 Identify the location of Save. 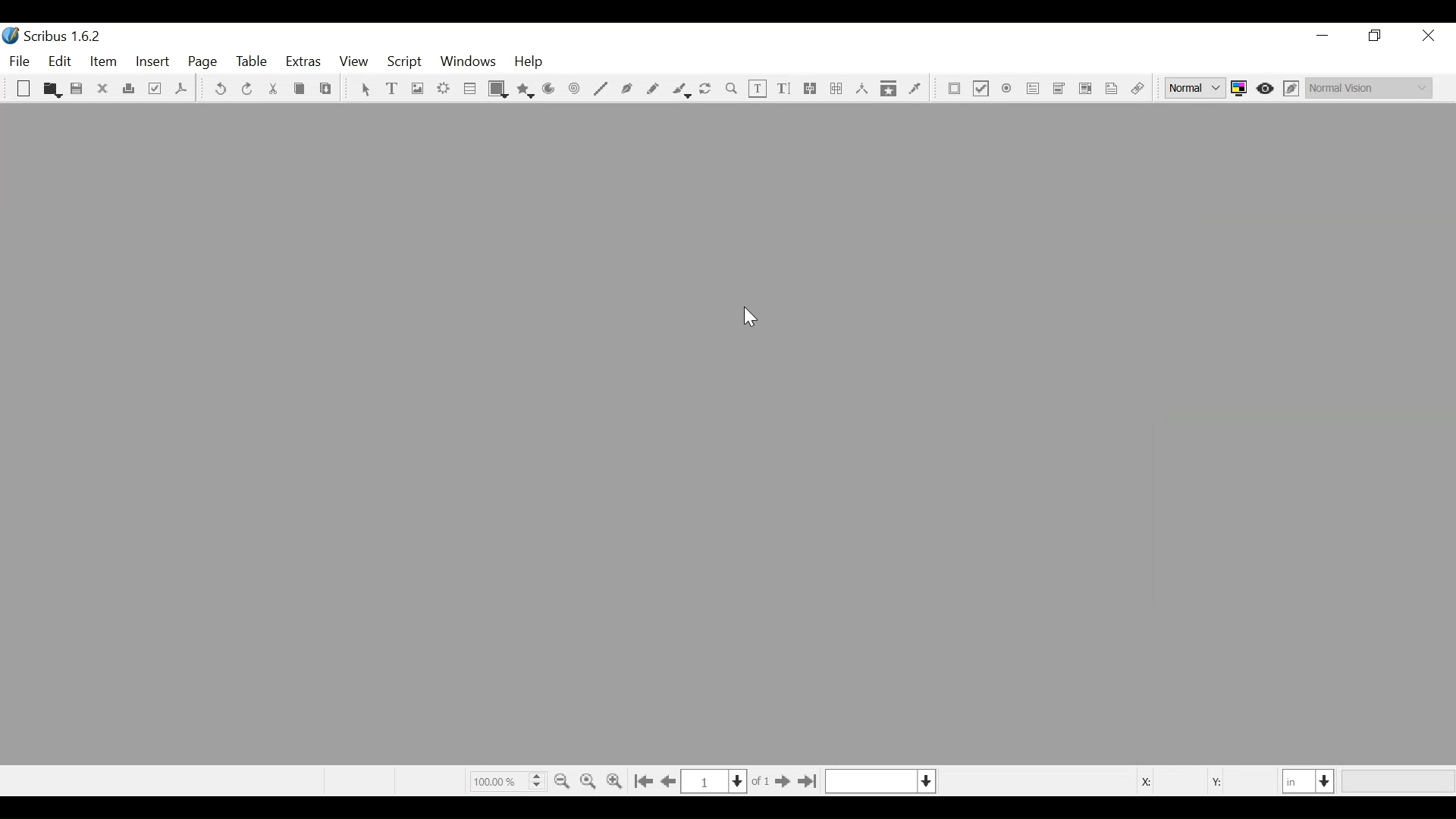
(78, 90).